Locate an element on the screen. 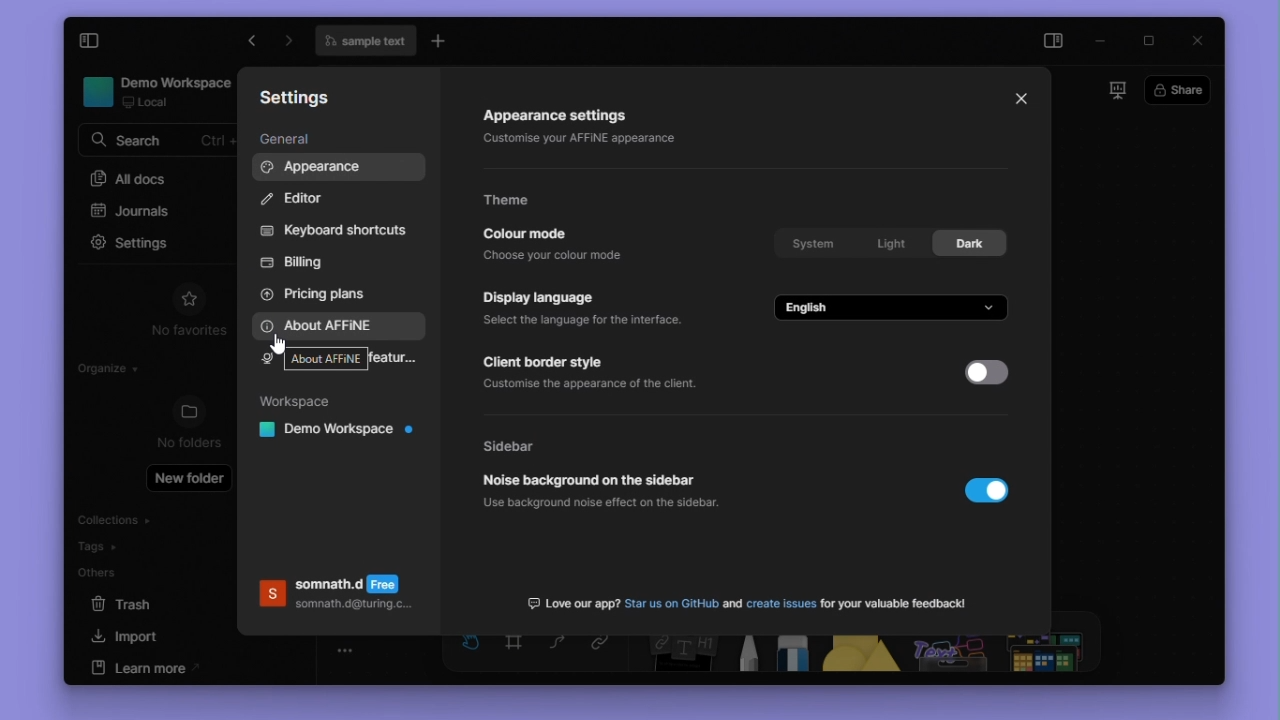  Eraser is located at coordinates (788, 654).